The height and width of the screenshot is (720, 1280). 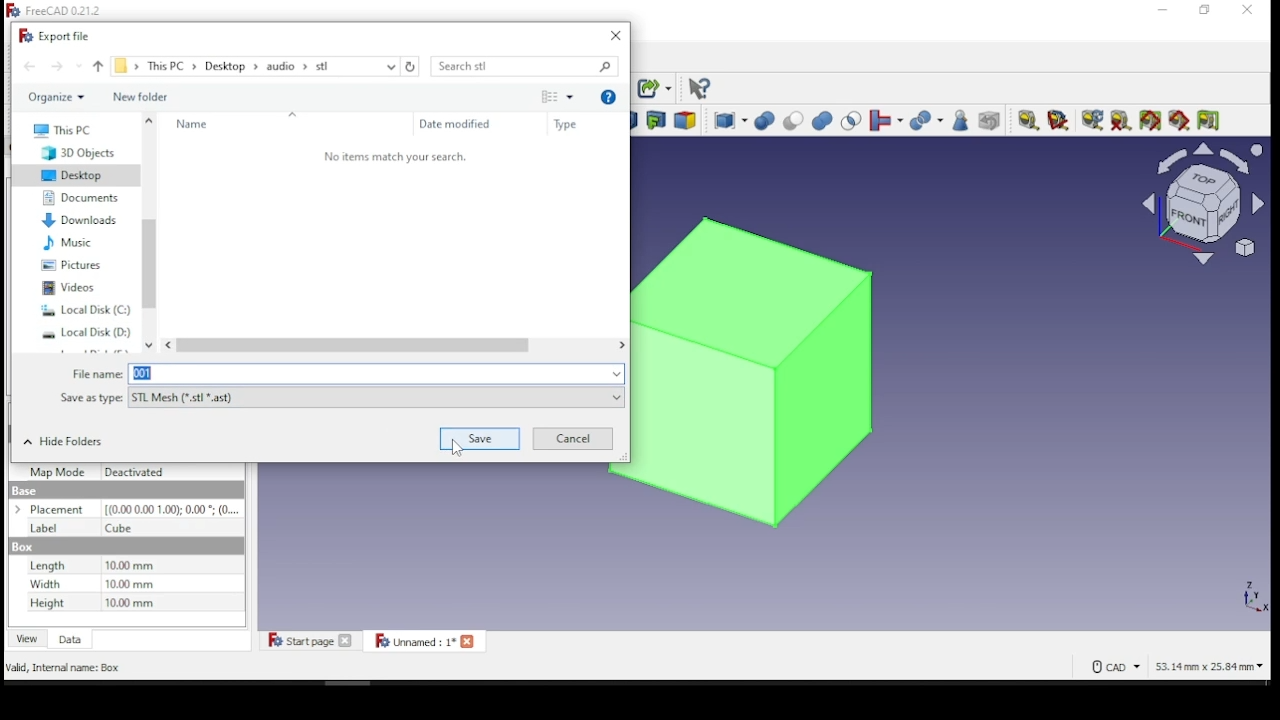 What do you see at coordinates (990, 121) in the screenshot?
I see `defeaturing` at bounding box center [990, 121].